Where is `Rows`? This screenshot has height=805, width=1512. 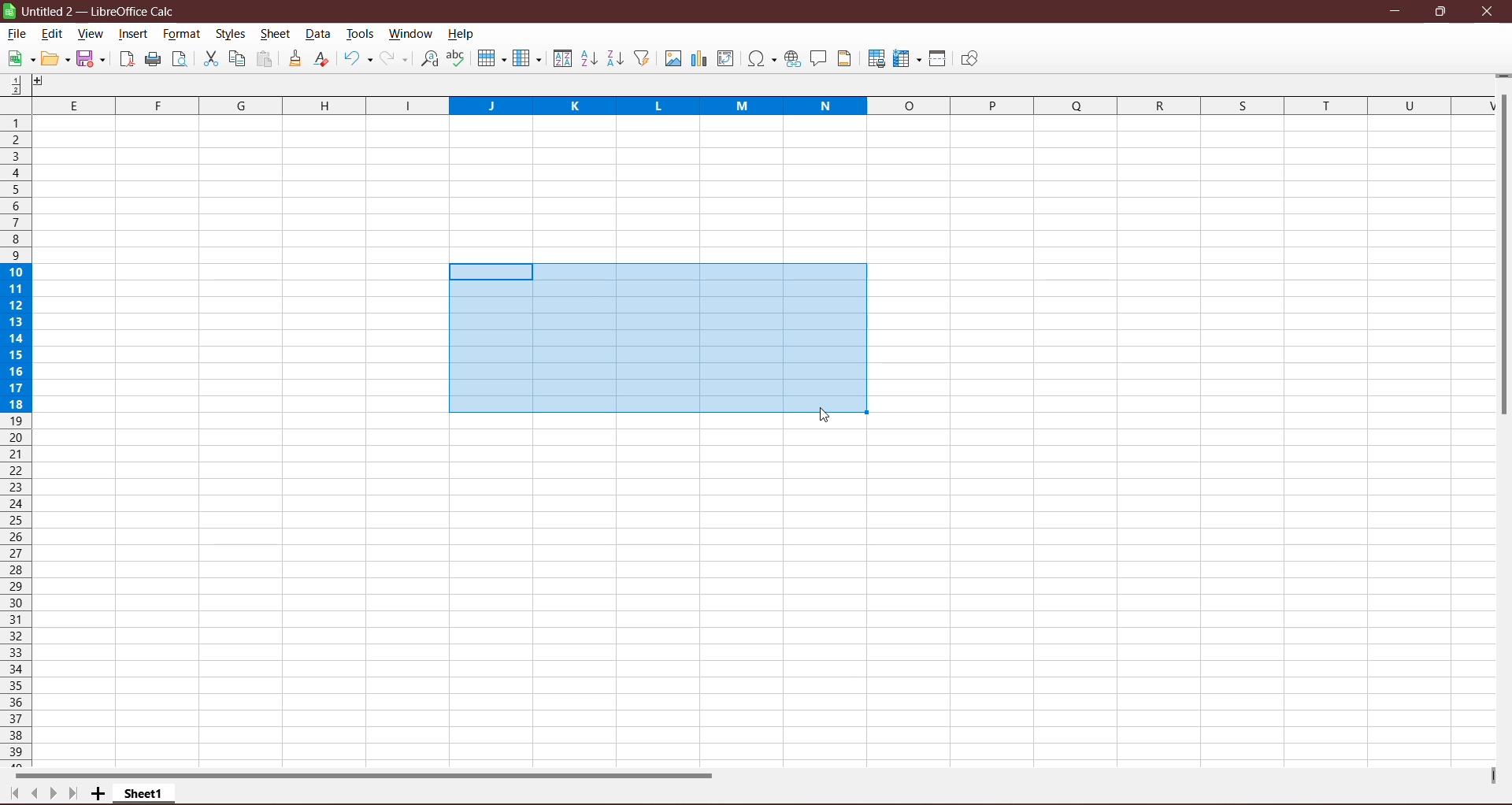 Rows is located at coordinates (14, 441).